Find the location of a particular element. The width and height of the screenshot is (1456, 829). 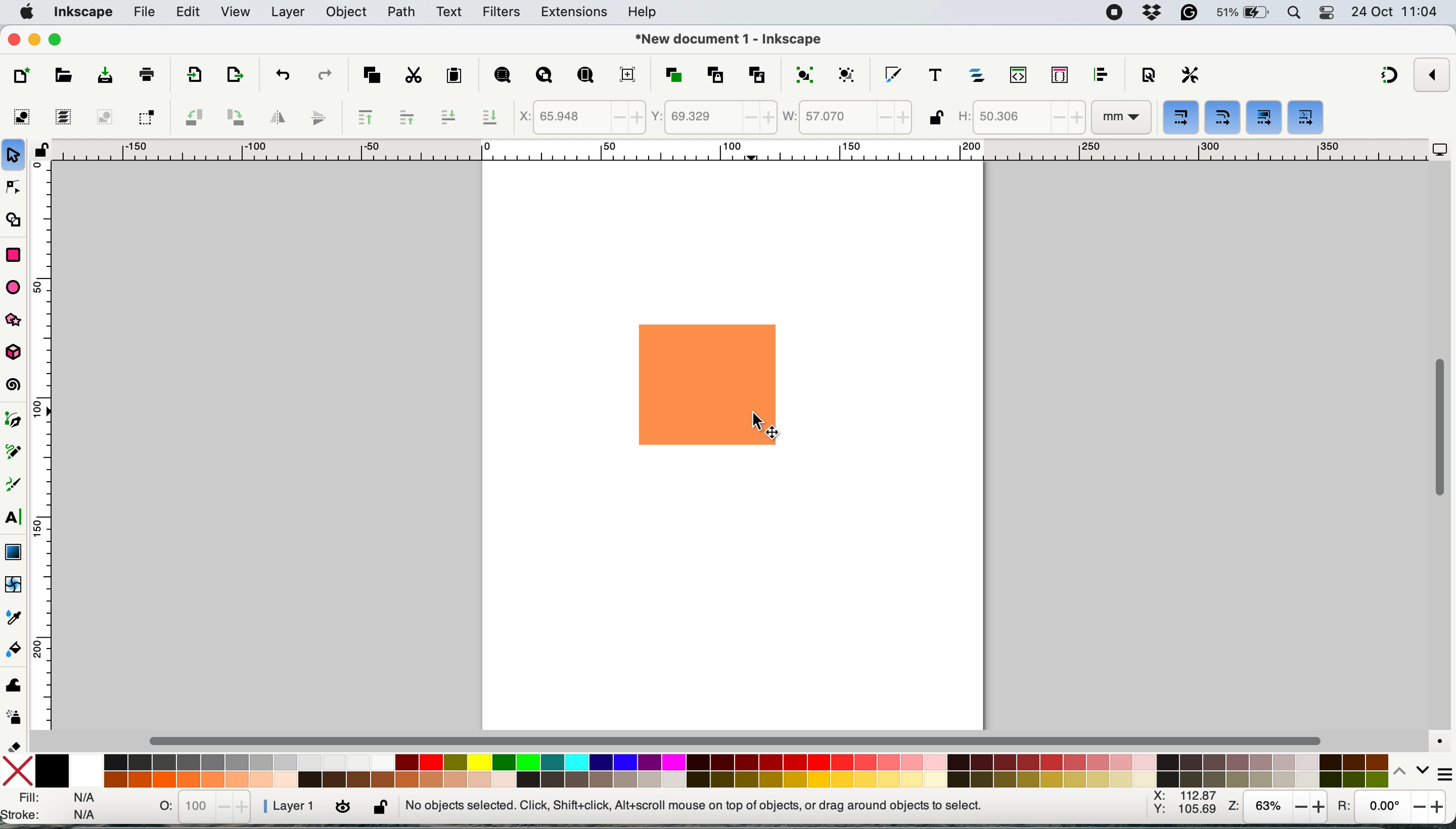

layers and objects is located at coordinates (979, 75).